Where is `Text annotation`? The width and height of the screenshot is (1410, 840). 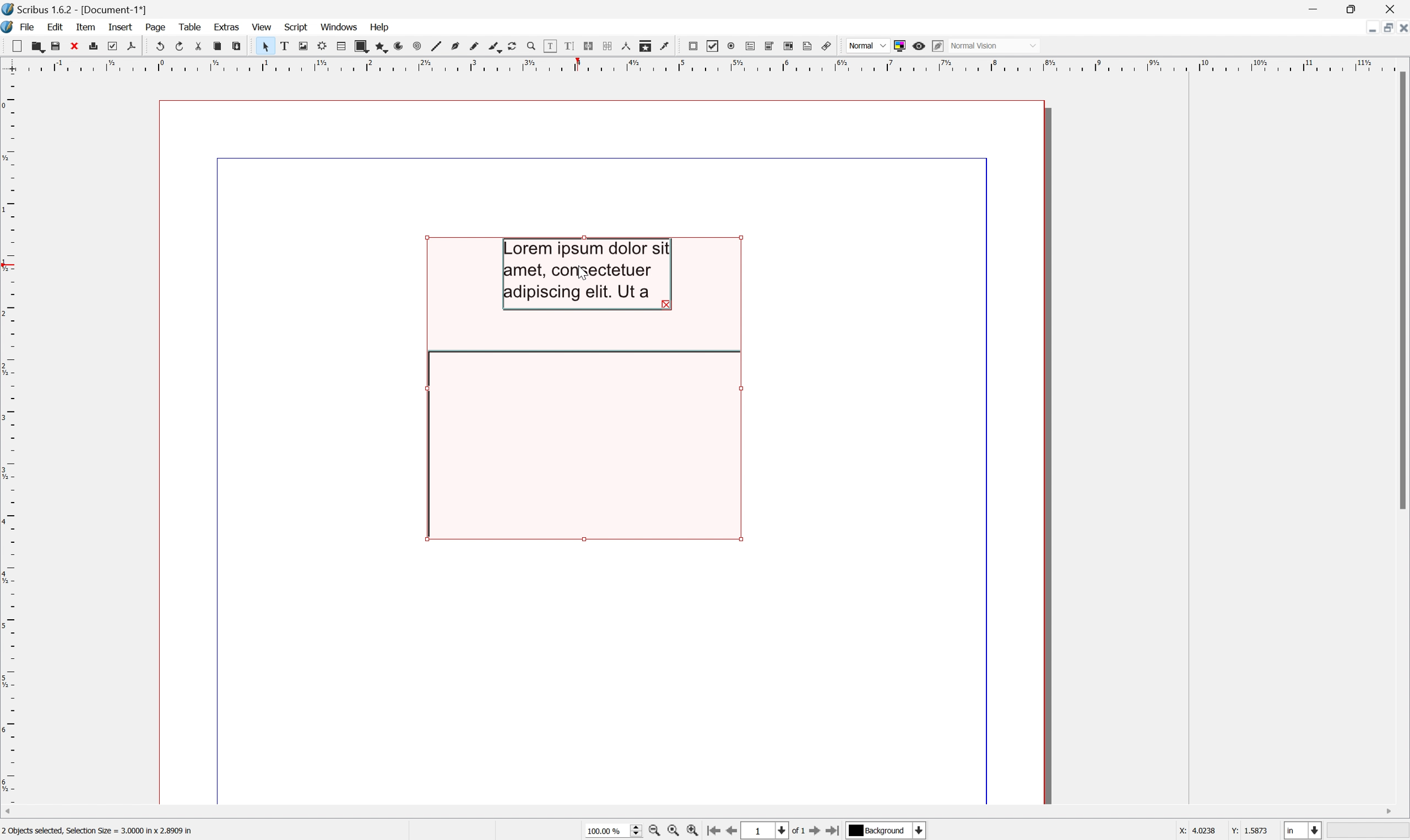 Text annotation is located at coordinates (810, 46).